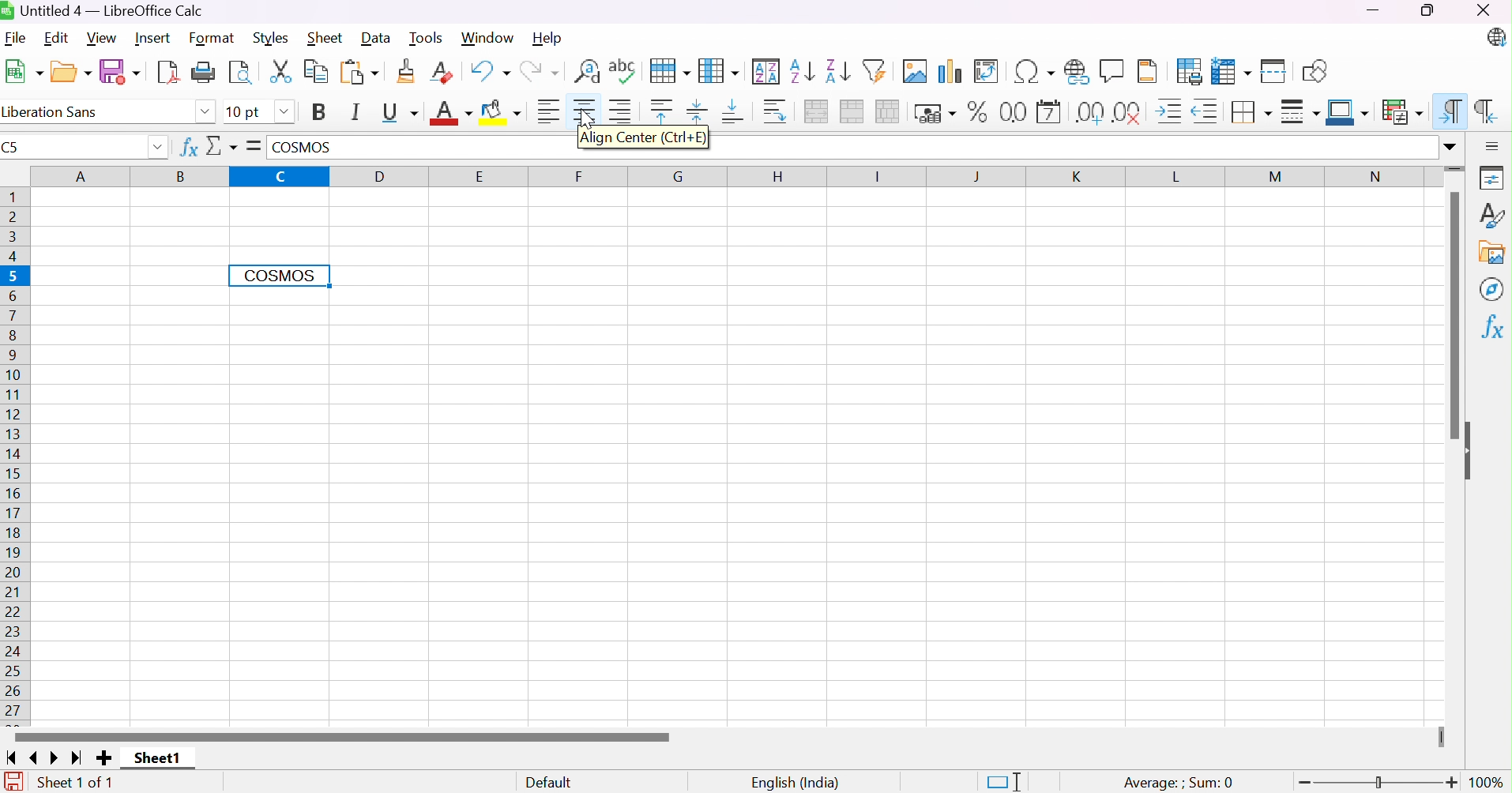  I want to click on English (India), so click(798, 784).